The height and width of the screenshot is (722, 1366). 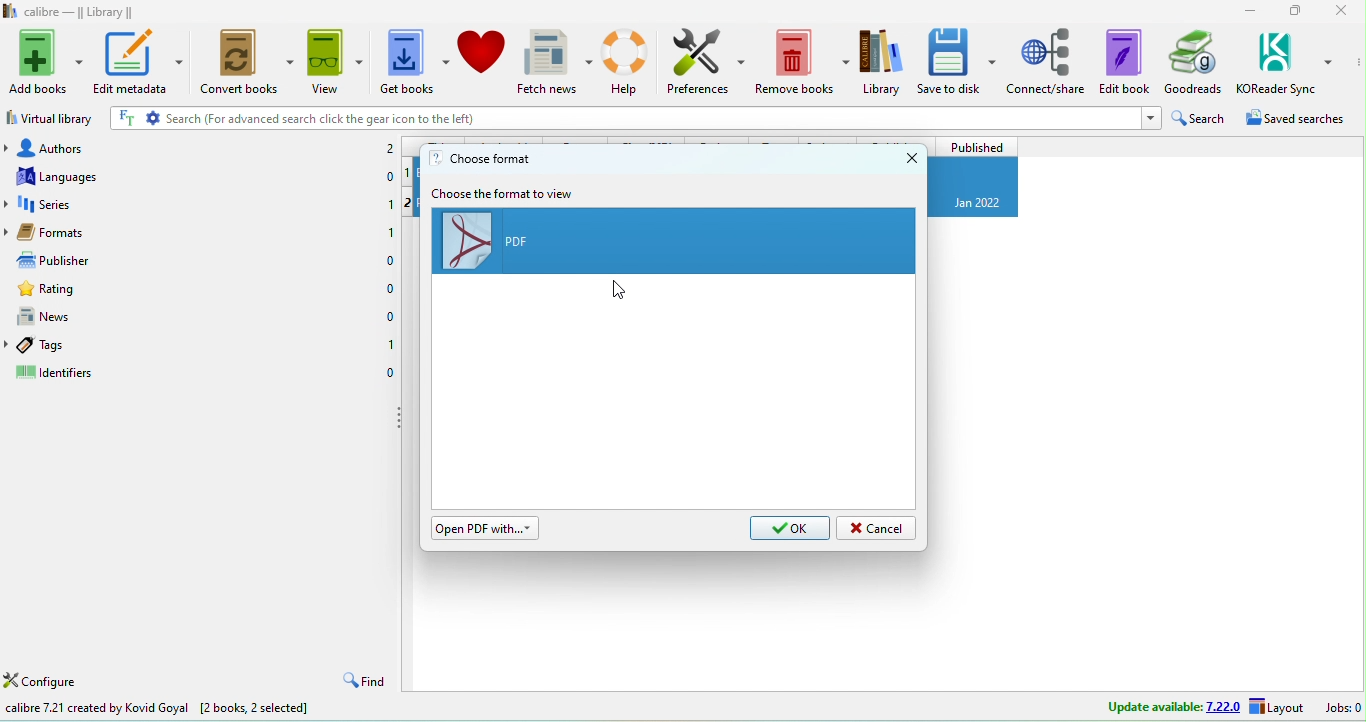 What do you see at coordinates (635, 119) in the screenshot?
I see `search (for advanced search click the gear icon to the left)` at bounding box center [635, 119].